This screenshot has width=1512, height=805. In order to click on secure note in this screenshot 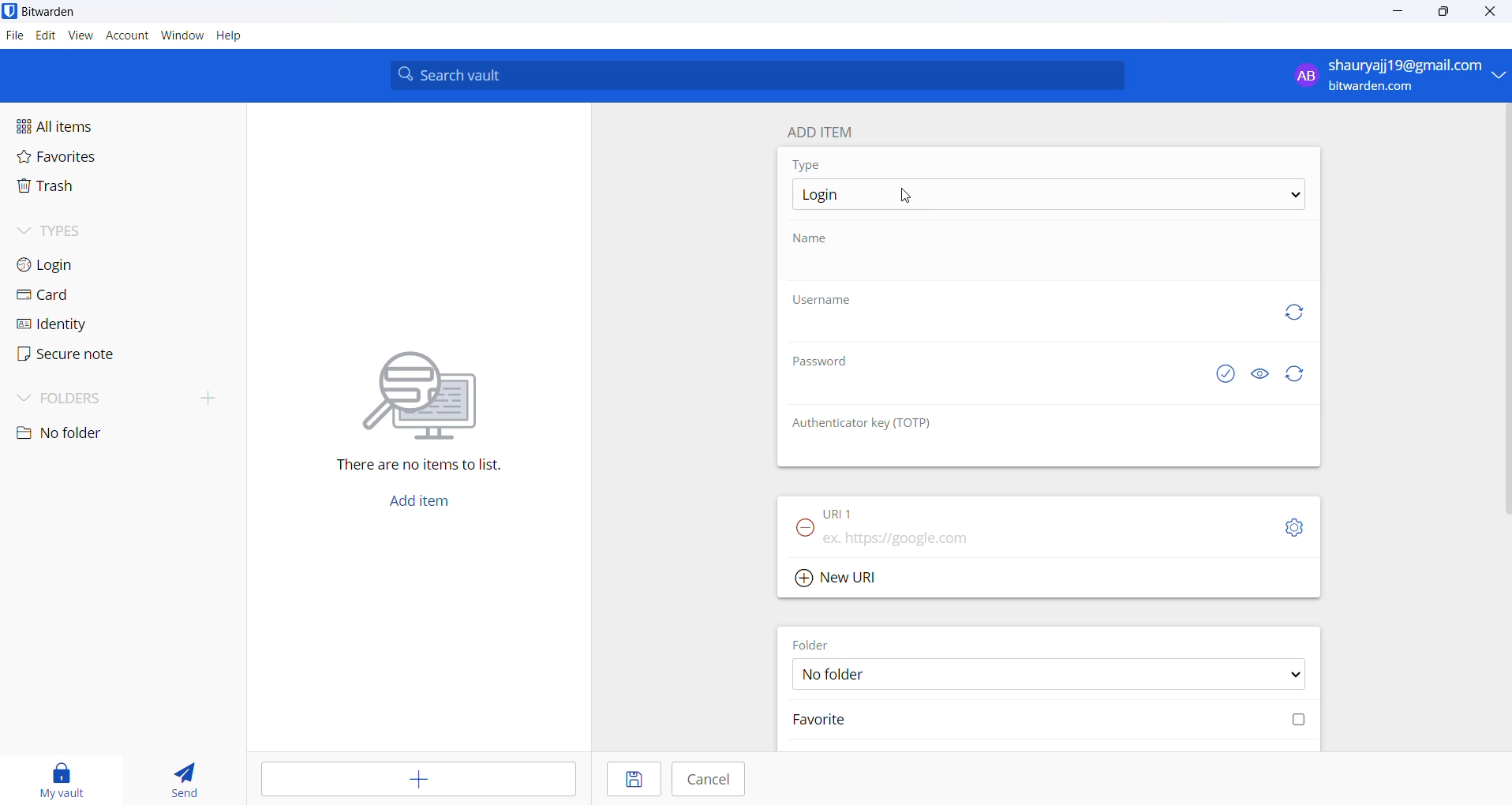, I will do `click(85, 358)`.